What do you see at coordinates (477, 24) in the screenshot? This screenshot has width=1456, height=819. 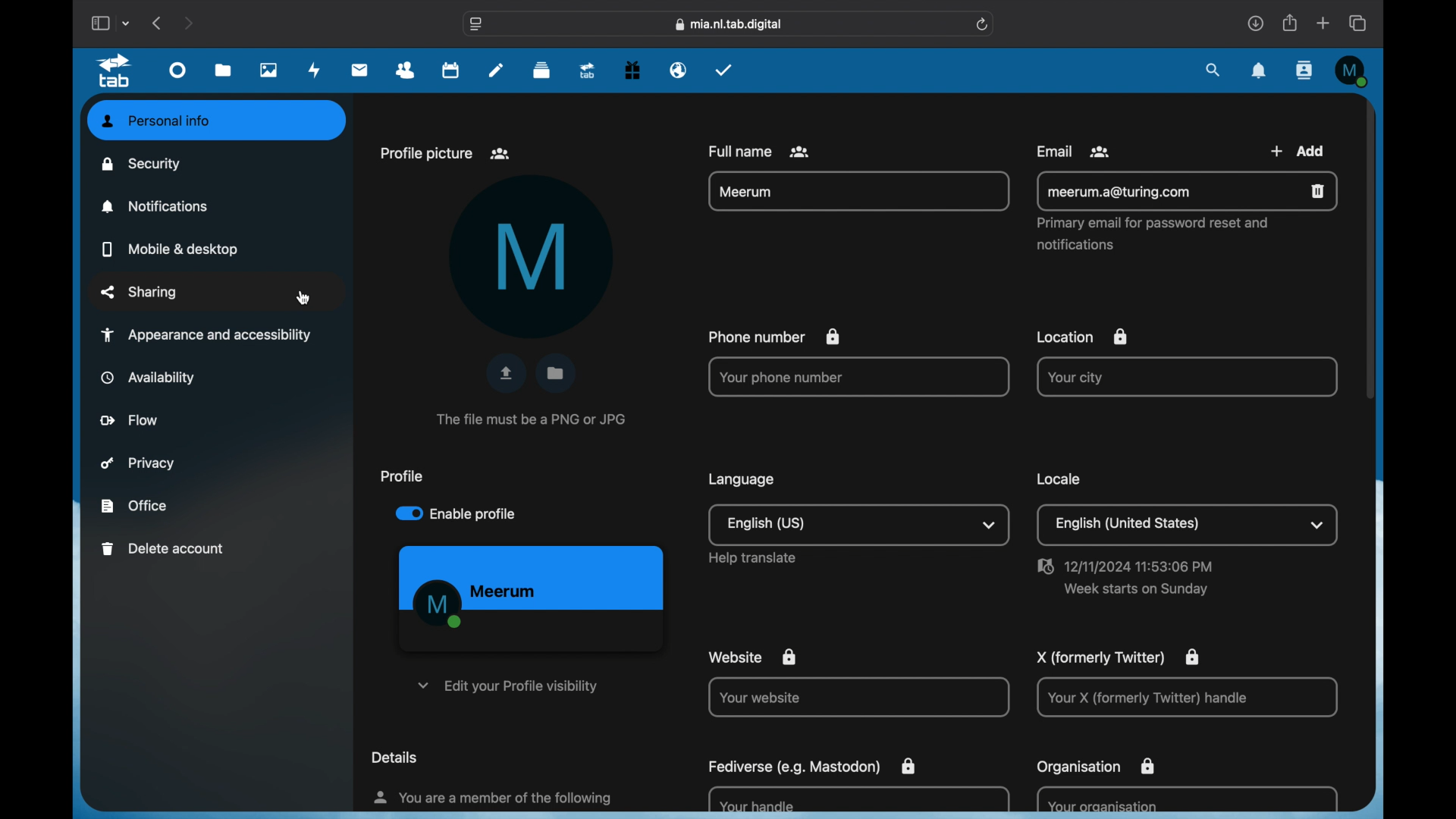 I see `website settings` at bounding box center [477, 24].